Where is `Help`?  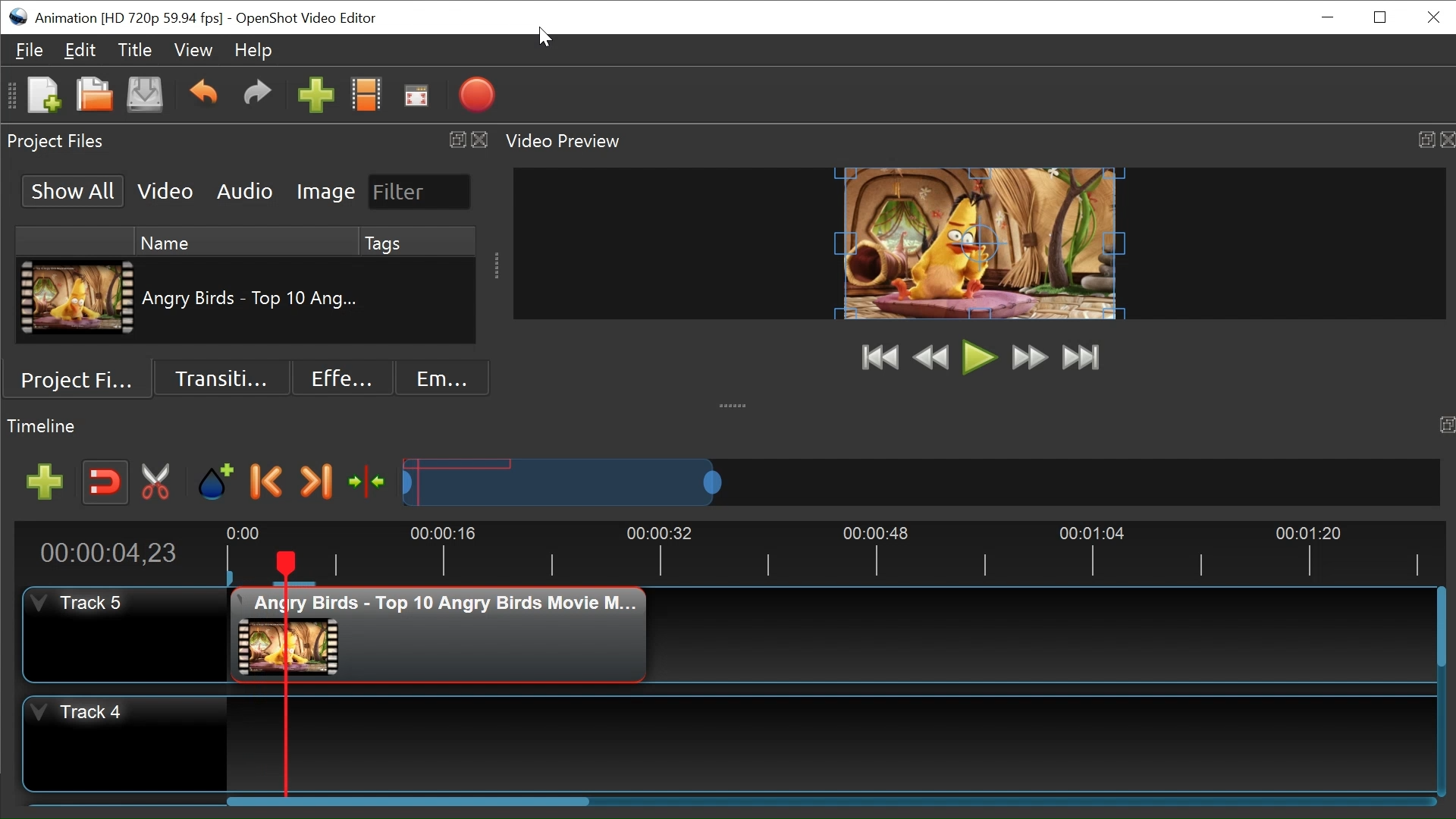
Help is located at coordinates (252, 52).